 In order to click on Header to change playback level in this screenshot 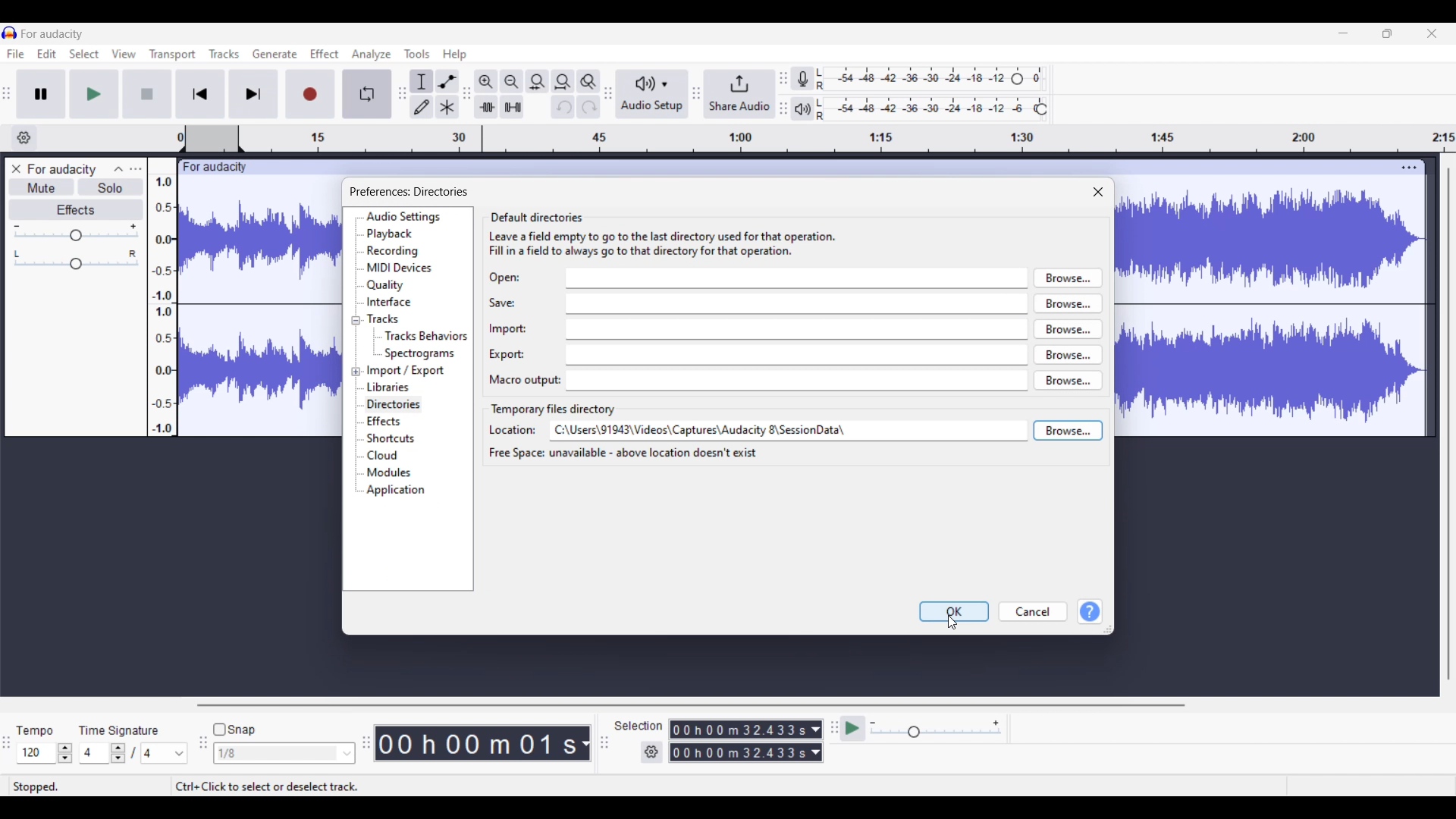, I will do `click(1042, 109)`.